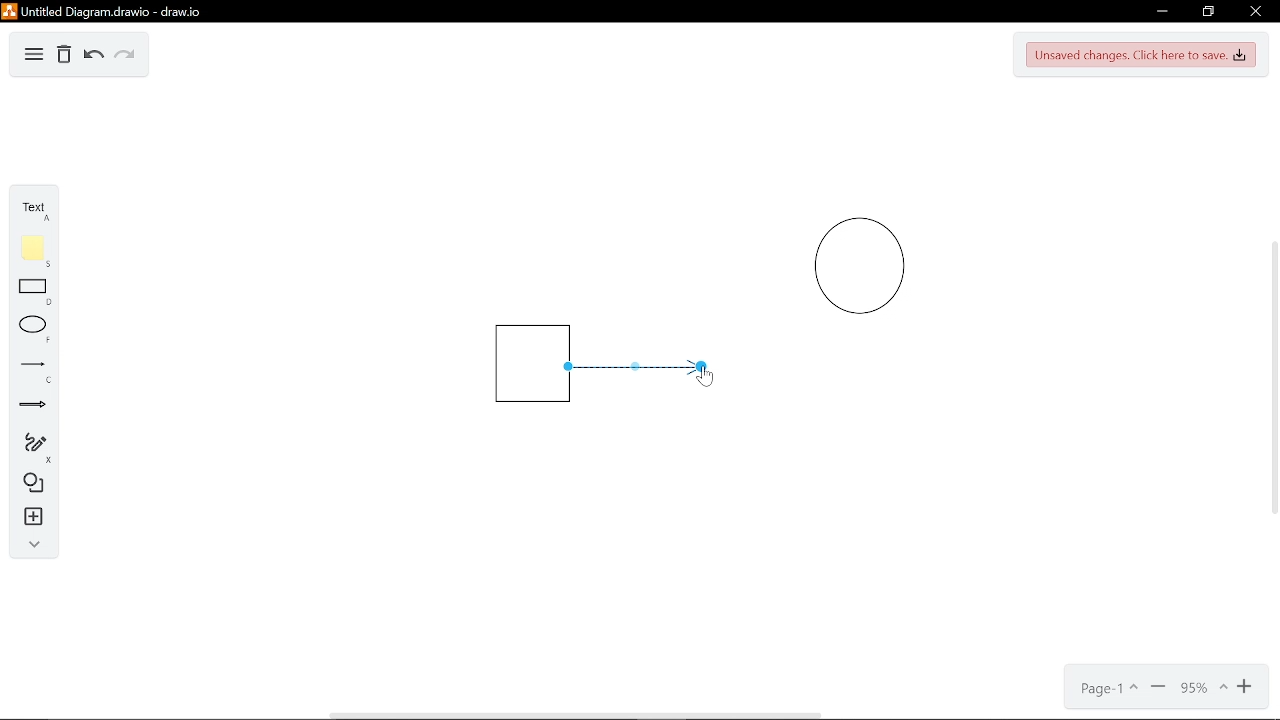 This screenshot has height=720, width=1280. Describe the element at coordinates (1141, 54) in the screenshot. I see `Save changes` at that location.